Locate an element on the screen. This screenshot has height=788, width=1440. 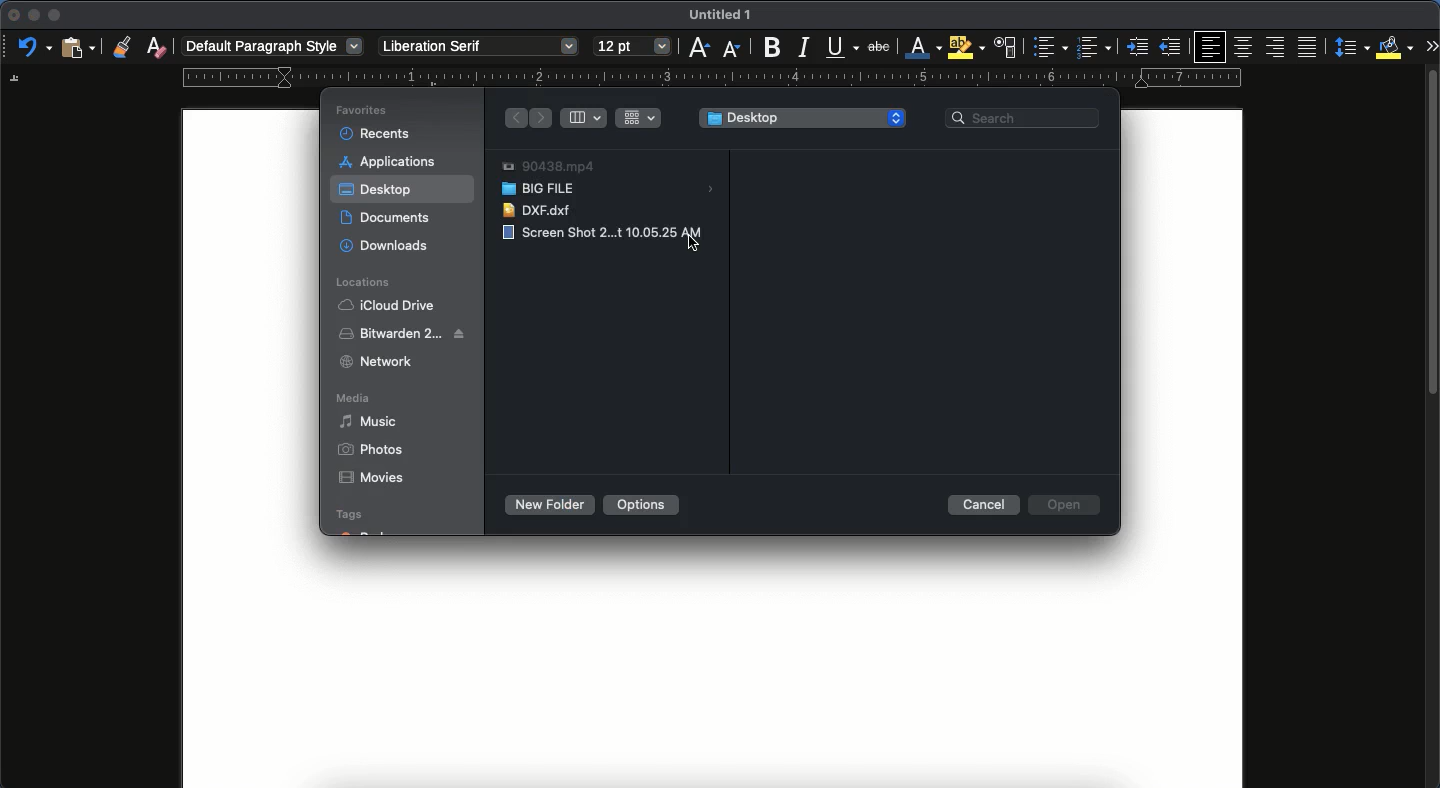
tags is located at coordinates (363, 522).